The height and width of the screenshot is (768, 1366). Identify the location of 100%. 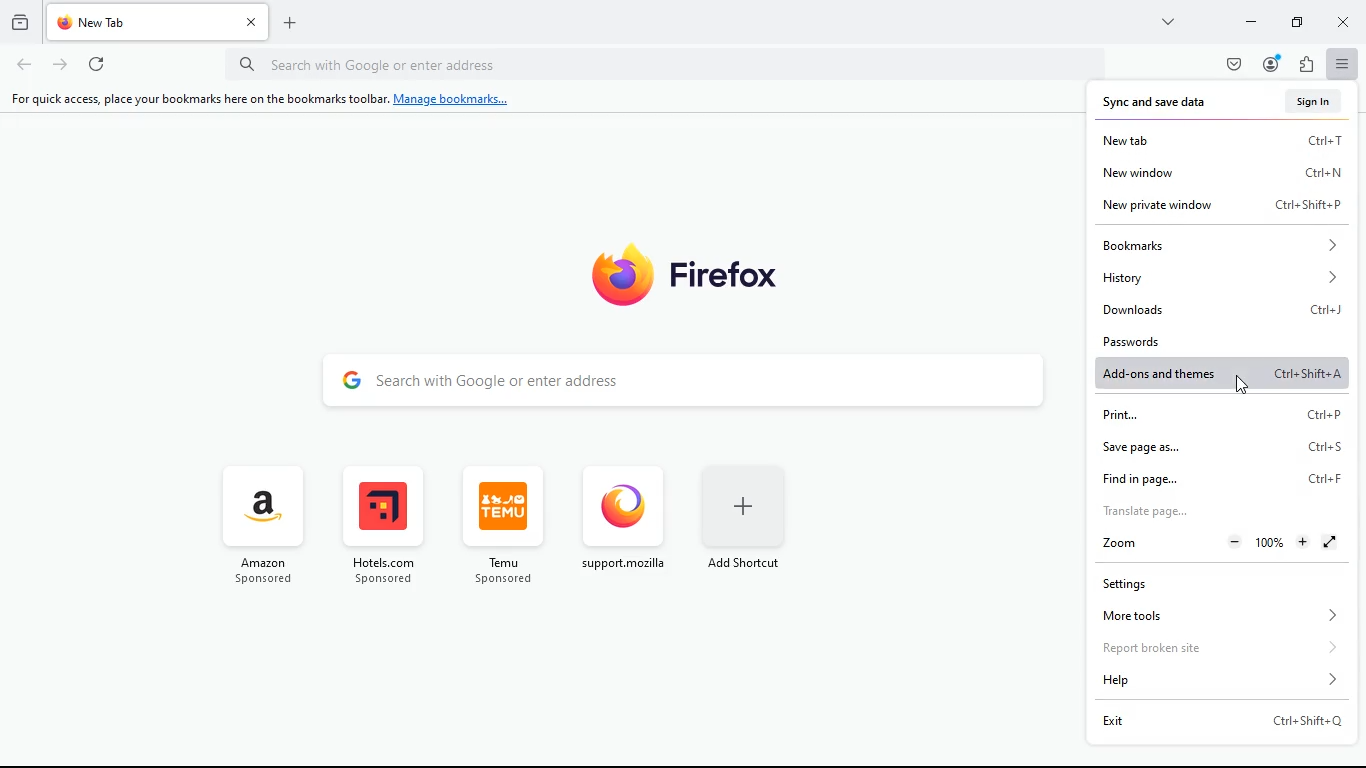
(1272, 543).